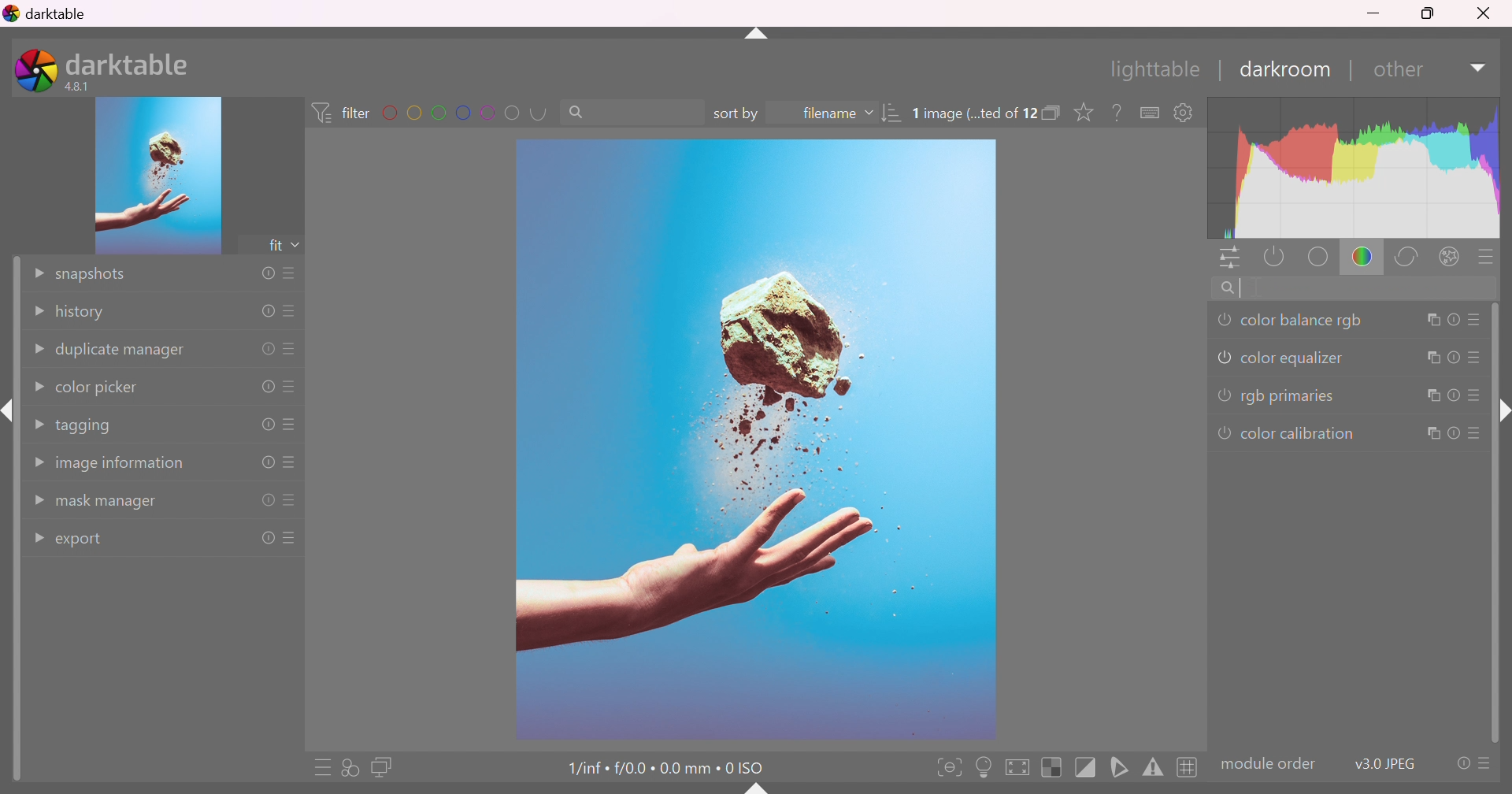  I want to click on typing cursor, so click(1245, 288).